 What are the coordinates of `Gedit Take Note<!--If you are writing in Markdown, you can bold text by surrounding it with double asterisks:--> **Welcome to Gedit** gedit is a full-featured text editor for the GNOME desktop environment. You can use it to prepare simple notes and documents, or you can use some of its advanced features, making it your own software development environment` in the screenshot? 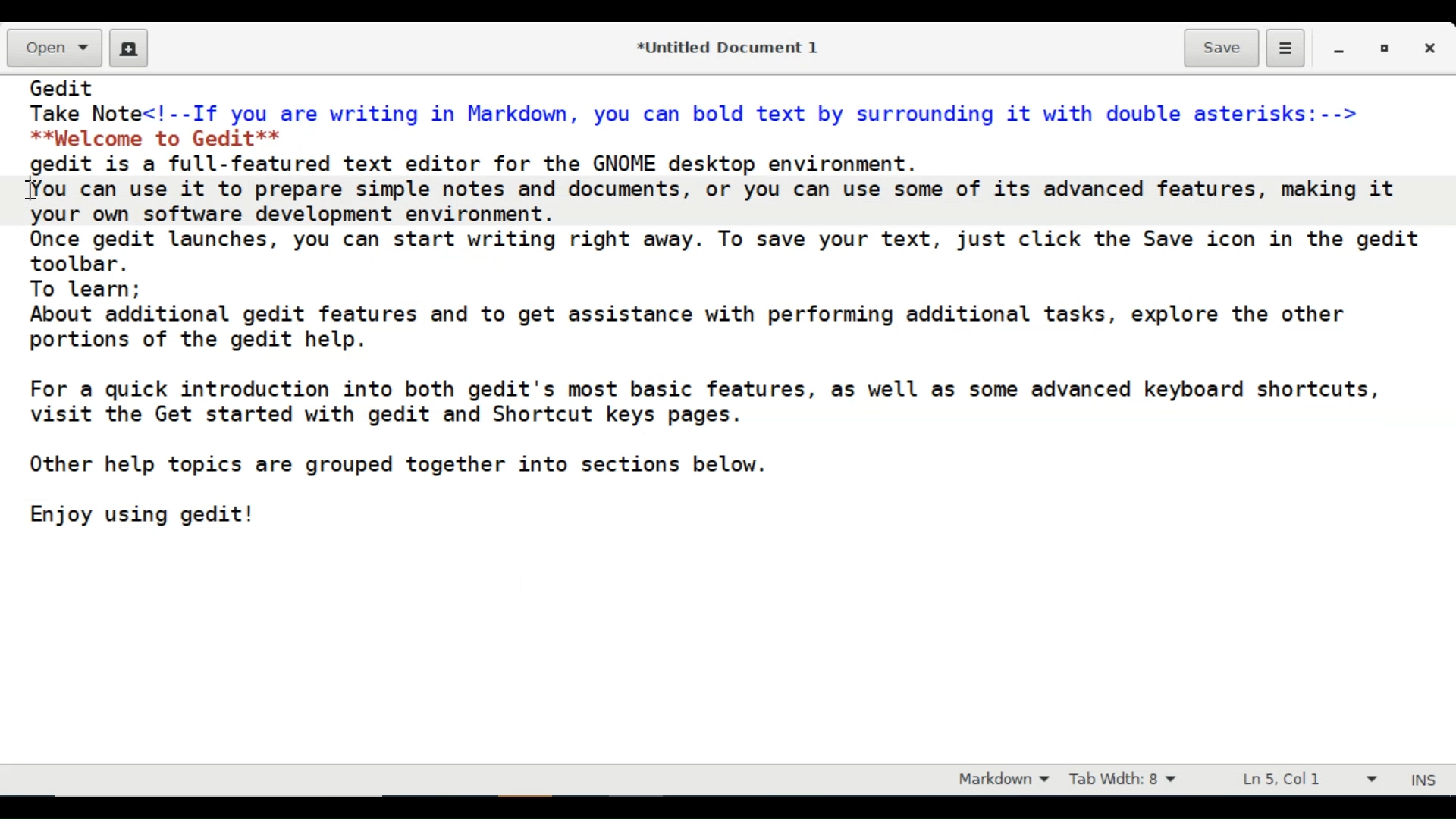 It's located at (723, 420).